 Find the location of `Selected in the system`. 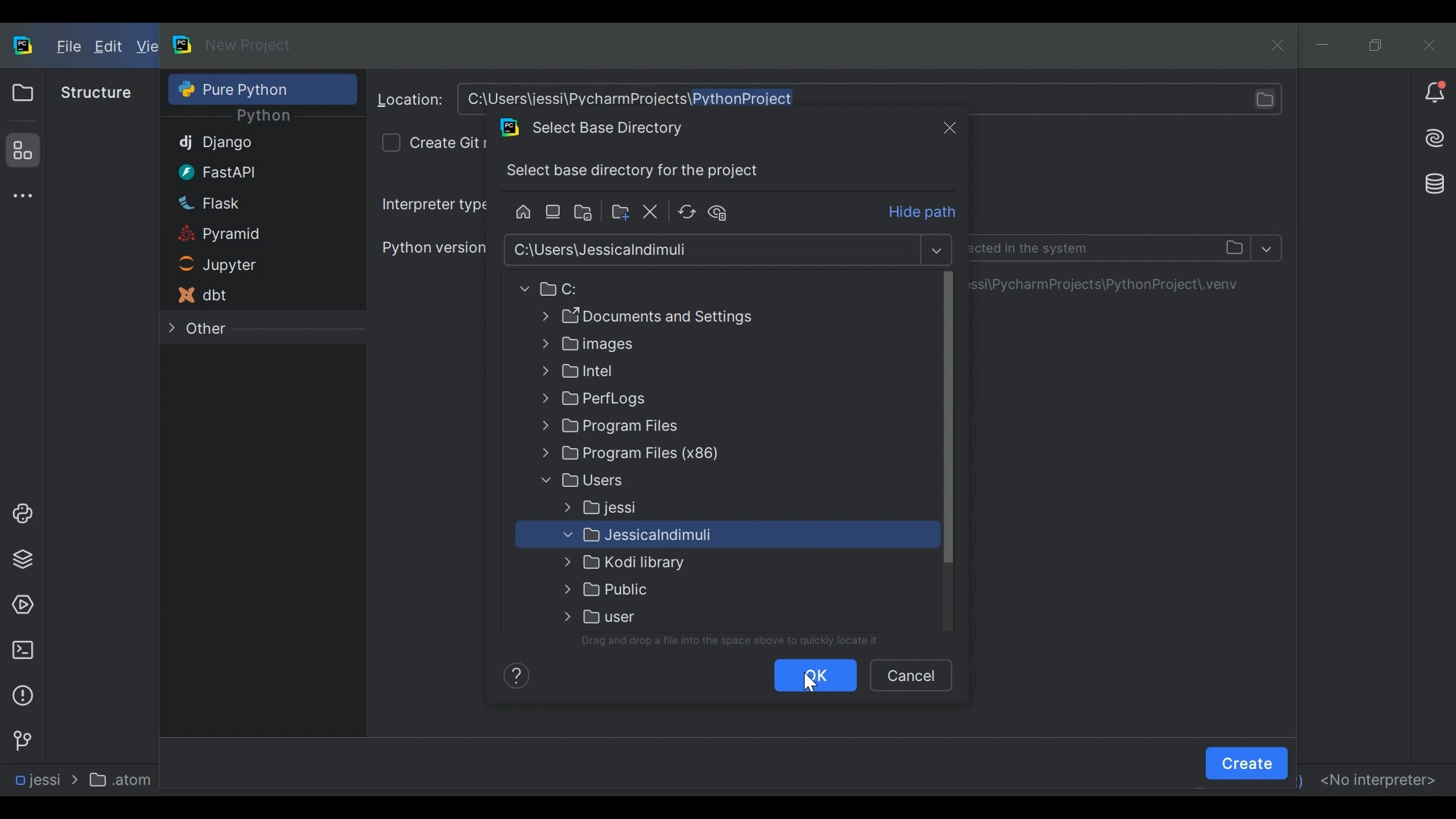

Selected in the system is located at coordinates (1110, 247).